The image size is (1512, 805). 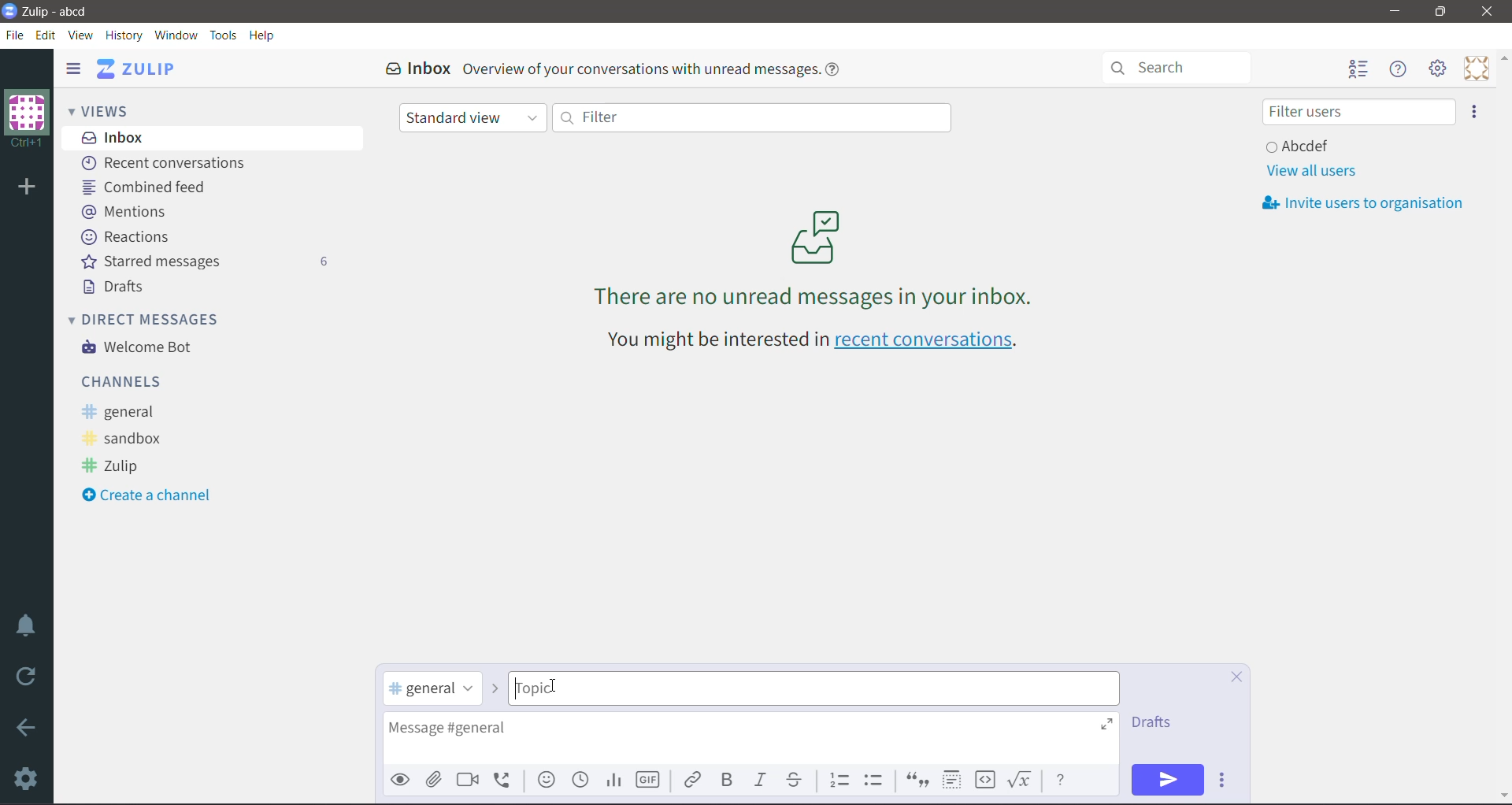 I want to click on Personal Menu, so click(x=1477, y=69).